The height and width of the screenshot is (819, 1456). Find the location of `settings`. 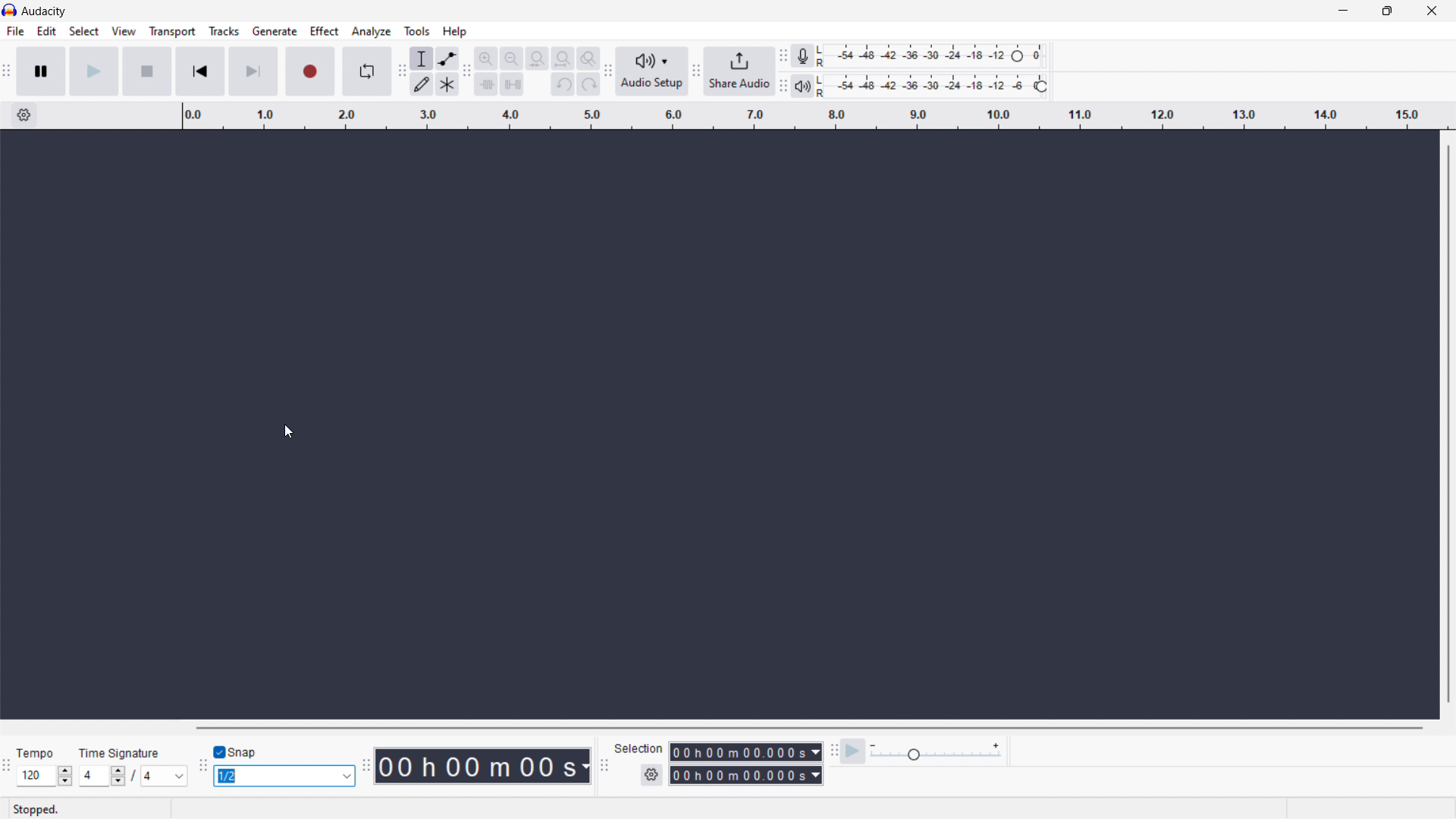

settings is located at coordinates (24, 115).